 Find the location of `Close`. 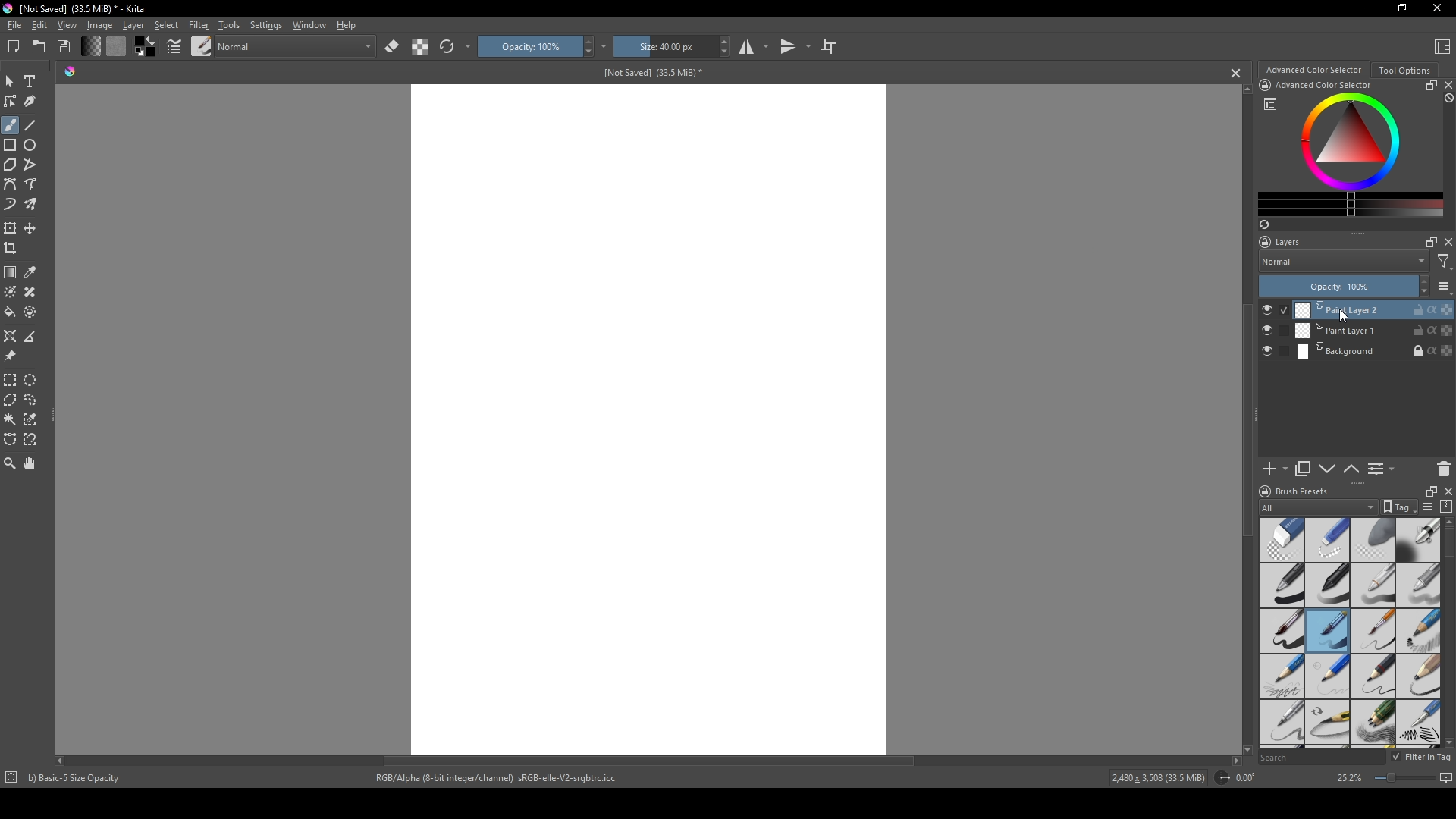

Close is located at coordinates (1434, 9).